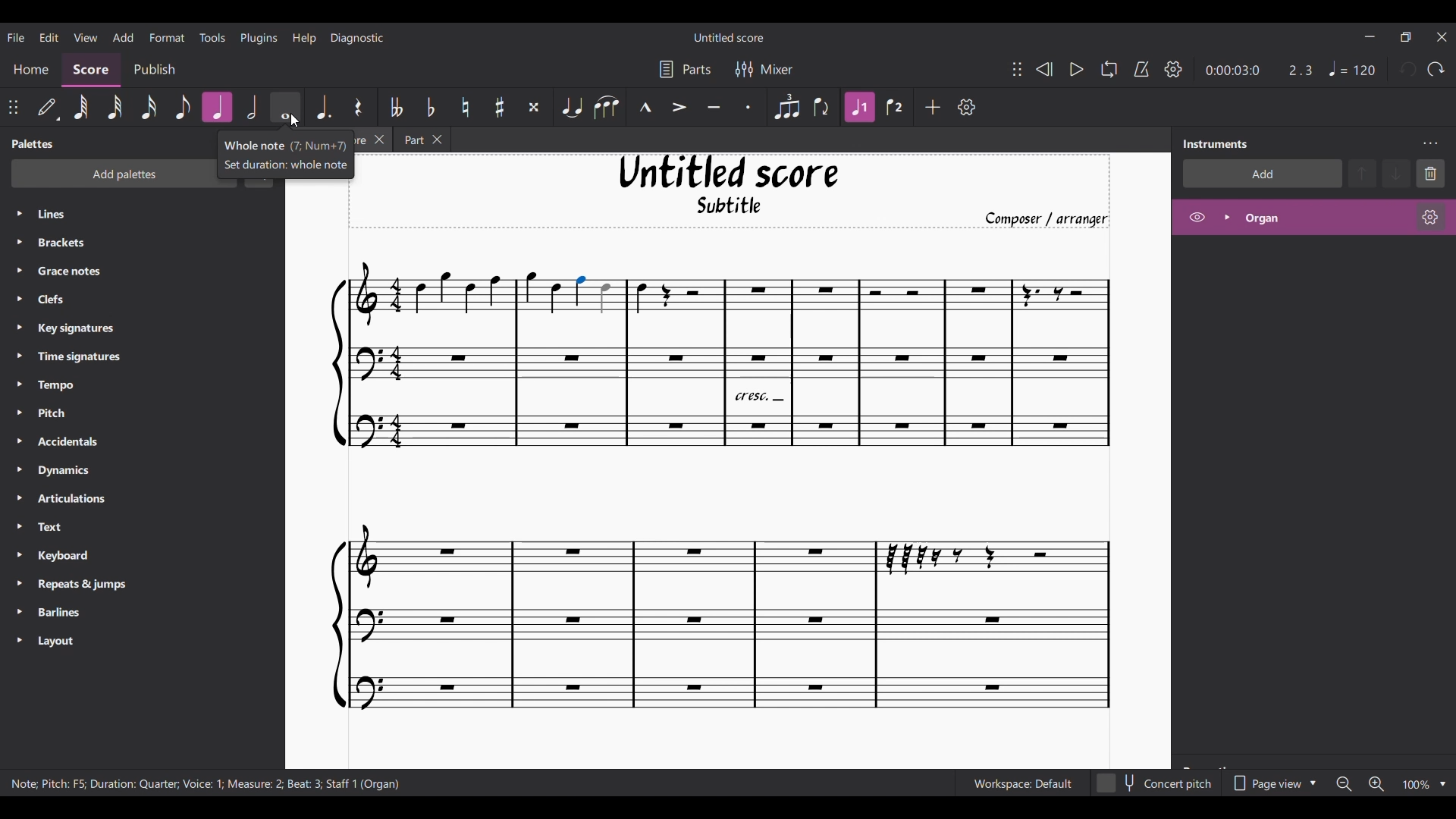 The width and height of the screenshot is (1456, 819). What do you see at coordinates (967, 107) in the screenshot?
I see `Customize toolbar` at bounding box center [967, 107].